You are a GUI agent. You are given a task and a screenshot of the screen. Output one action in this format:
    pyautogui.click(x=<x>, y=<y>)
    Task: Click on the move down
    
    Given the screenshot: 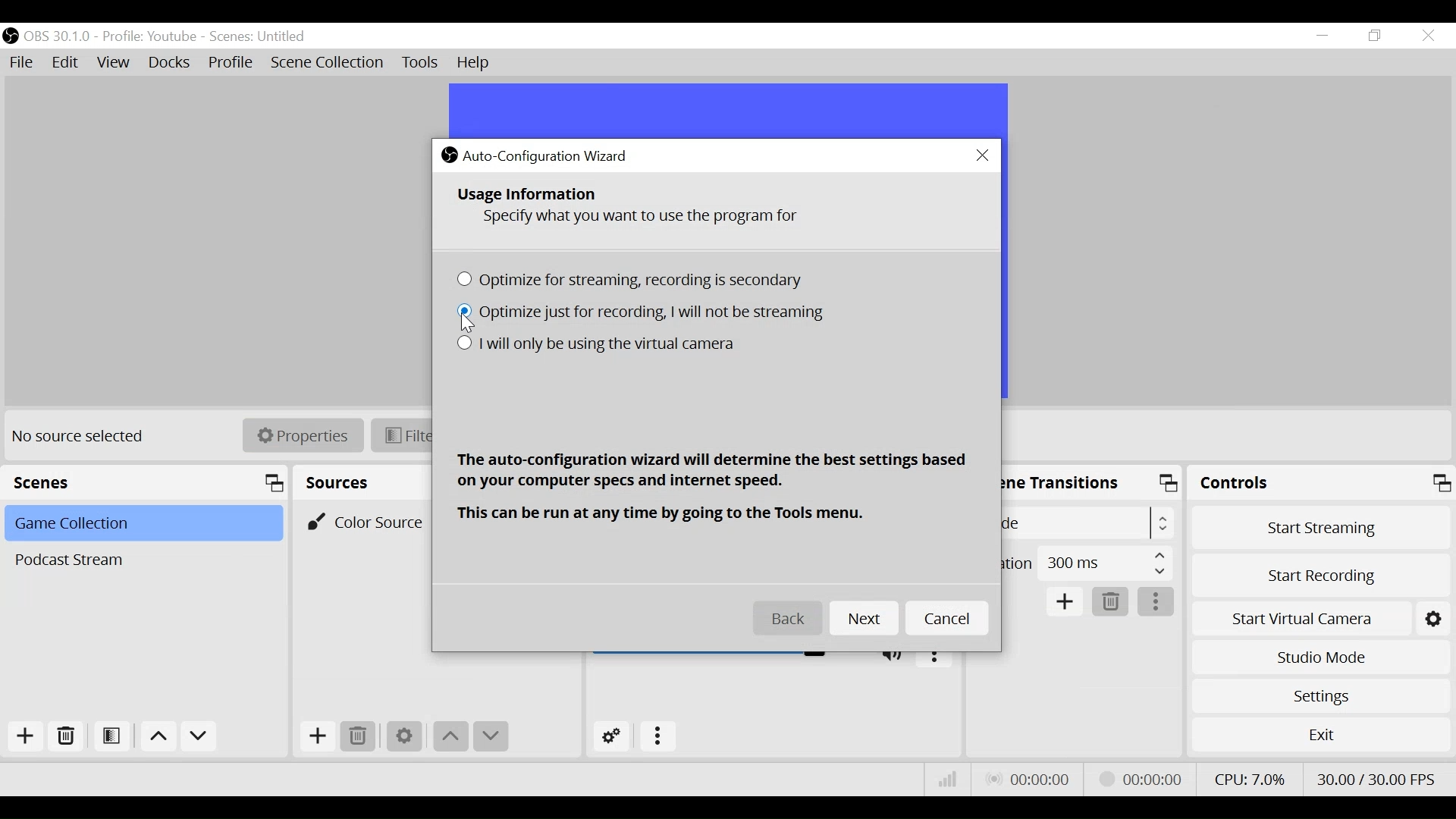 What is the action you would take?
    pyautogui.click(x=492, y=738)
    